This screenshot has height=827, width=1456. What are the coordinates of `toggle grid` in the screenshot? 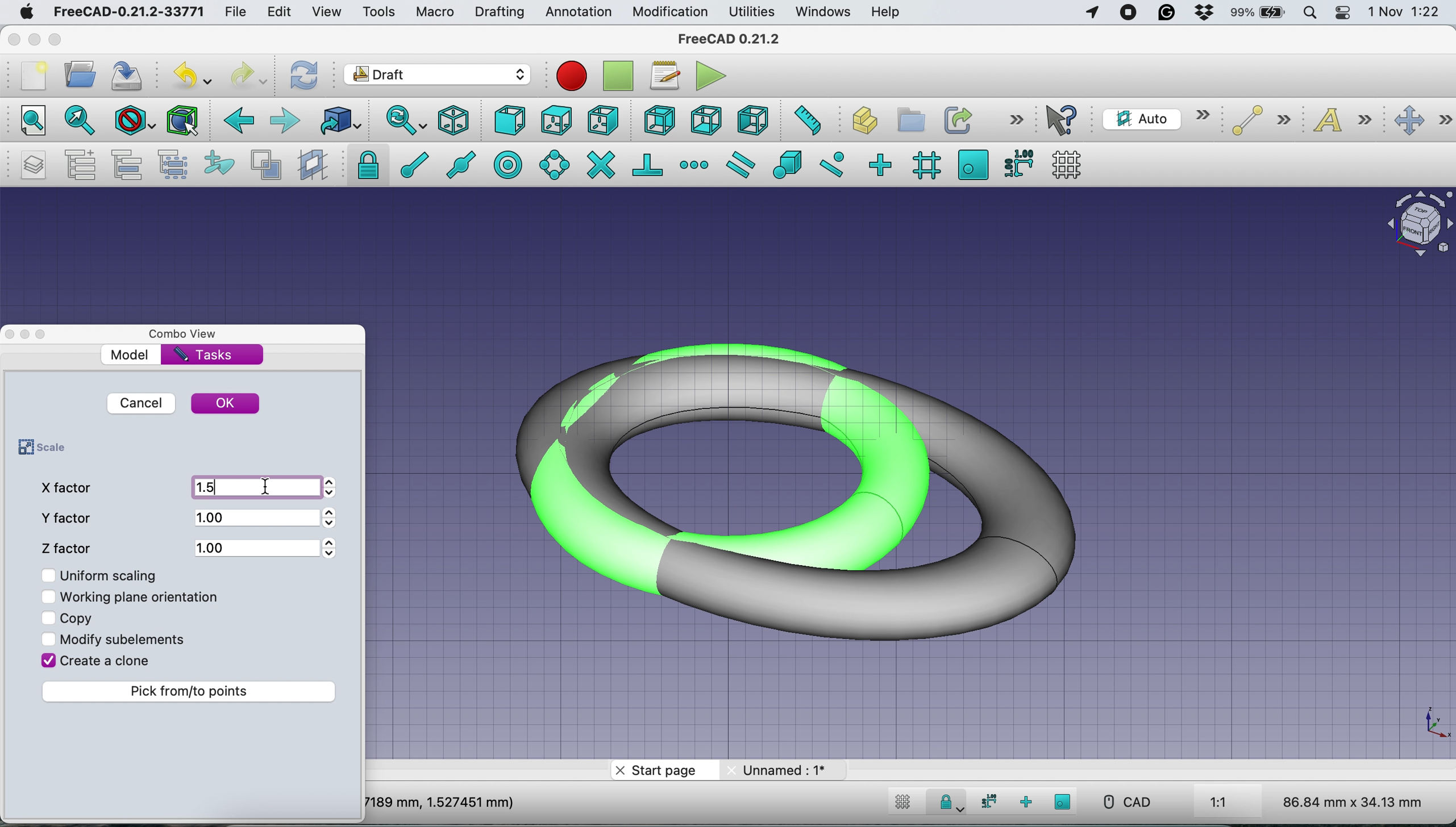 It's located at (1071, 164).